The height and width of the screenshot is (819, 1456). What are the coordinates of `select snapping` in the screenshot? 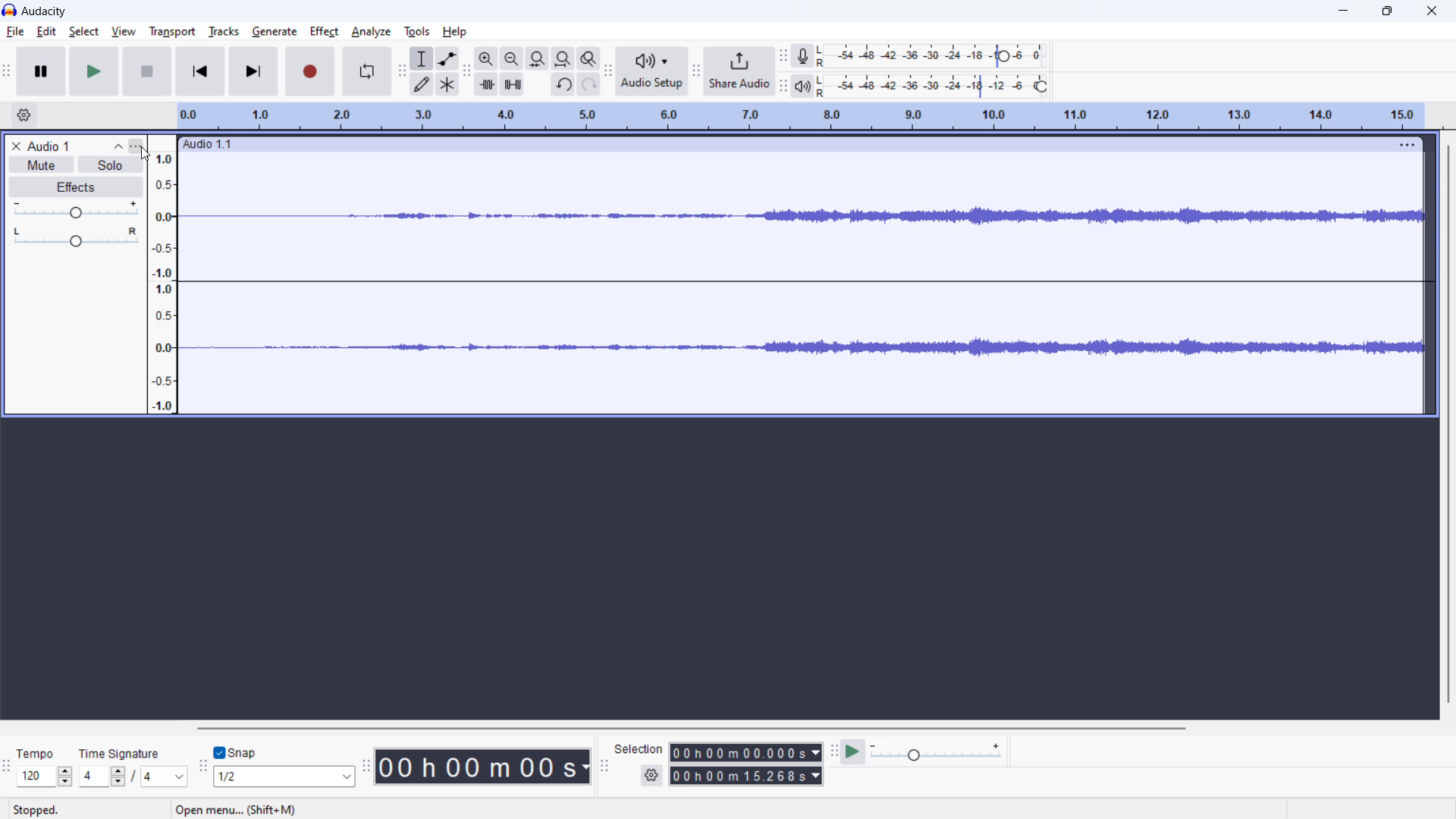 It's located at (285, 777).